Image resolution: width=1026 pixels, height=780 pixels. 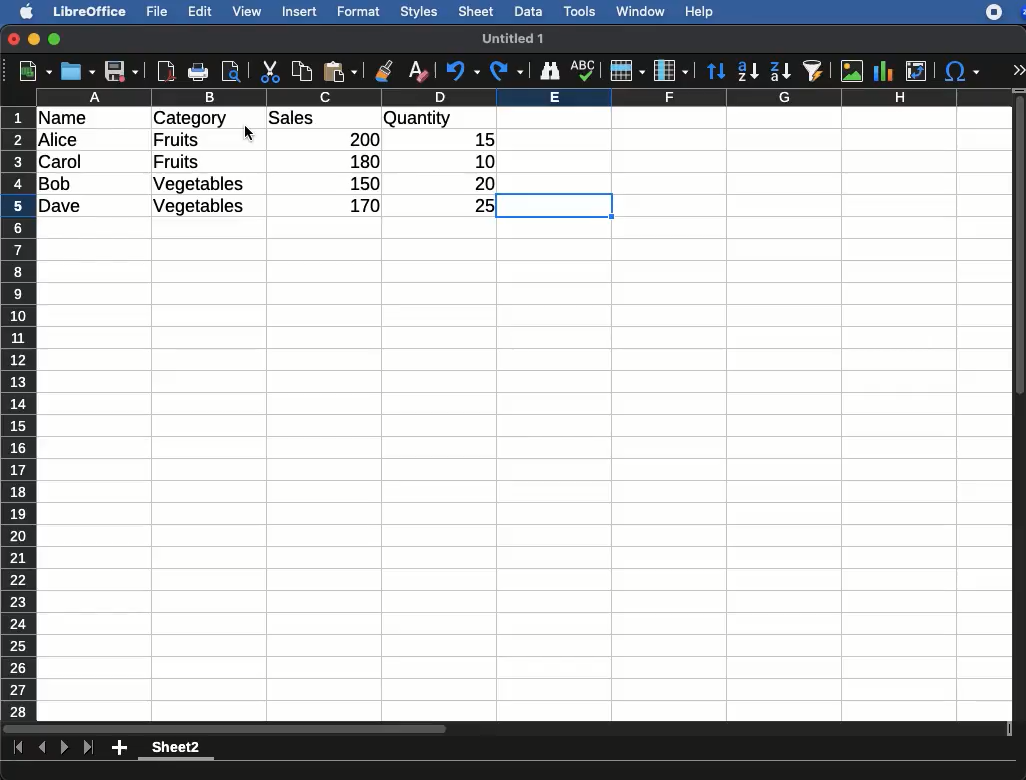 What do you see at coordinates (35, 39) in the screenshot?
I see `minimize` at bounding box center [35, 39].